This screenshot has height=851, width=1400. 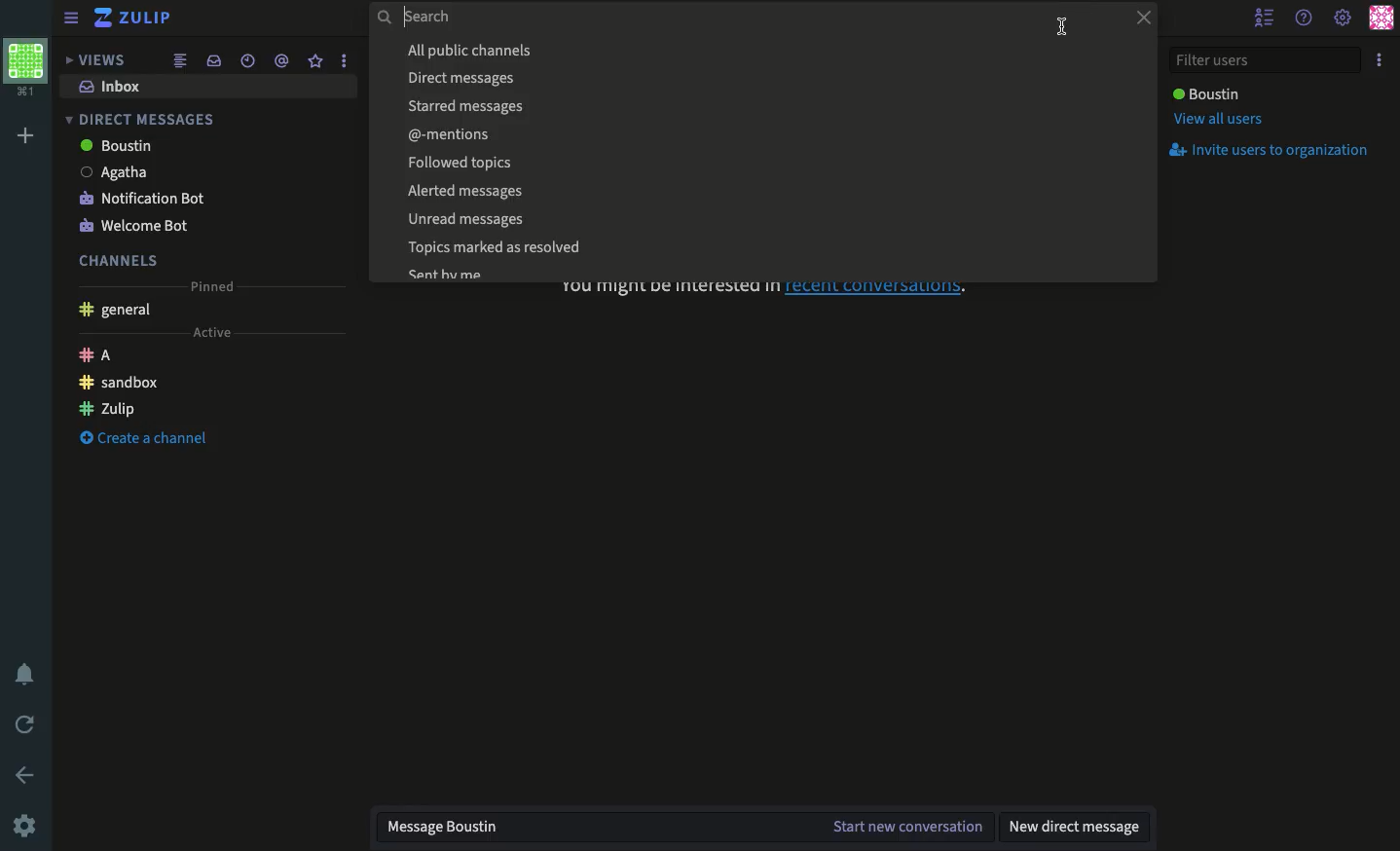 What do you see at coordinates (74, 18) in the screenshot?
I see `View menu` at bounding box center [74, 18].